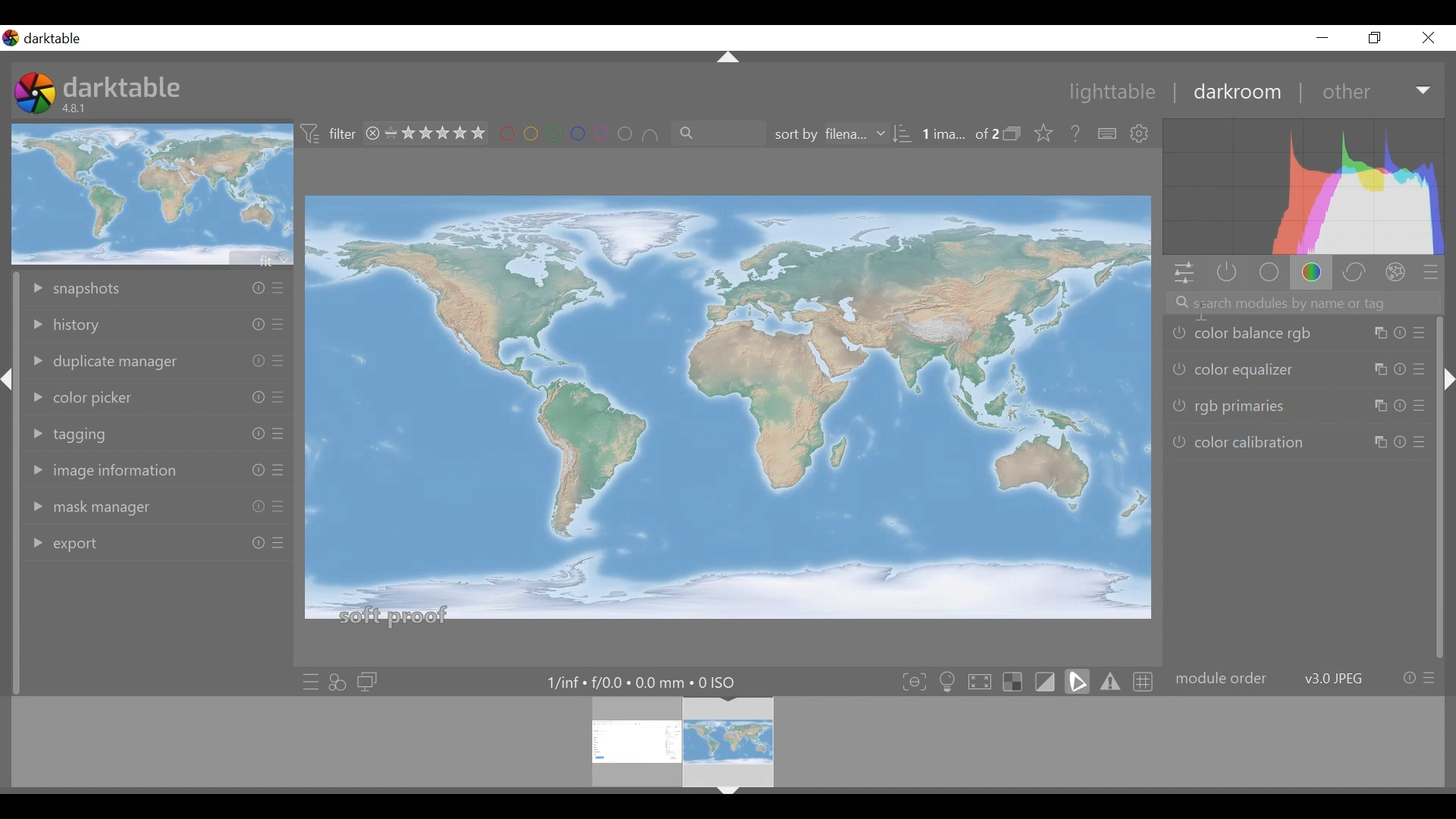  What do you see at coordinates (329, 134) in the screenshot?
I see `filter` at bounding box center [329, 134].